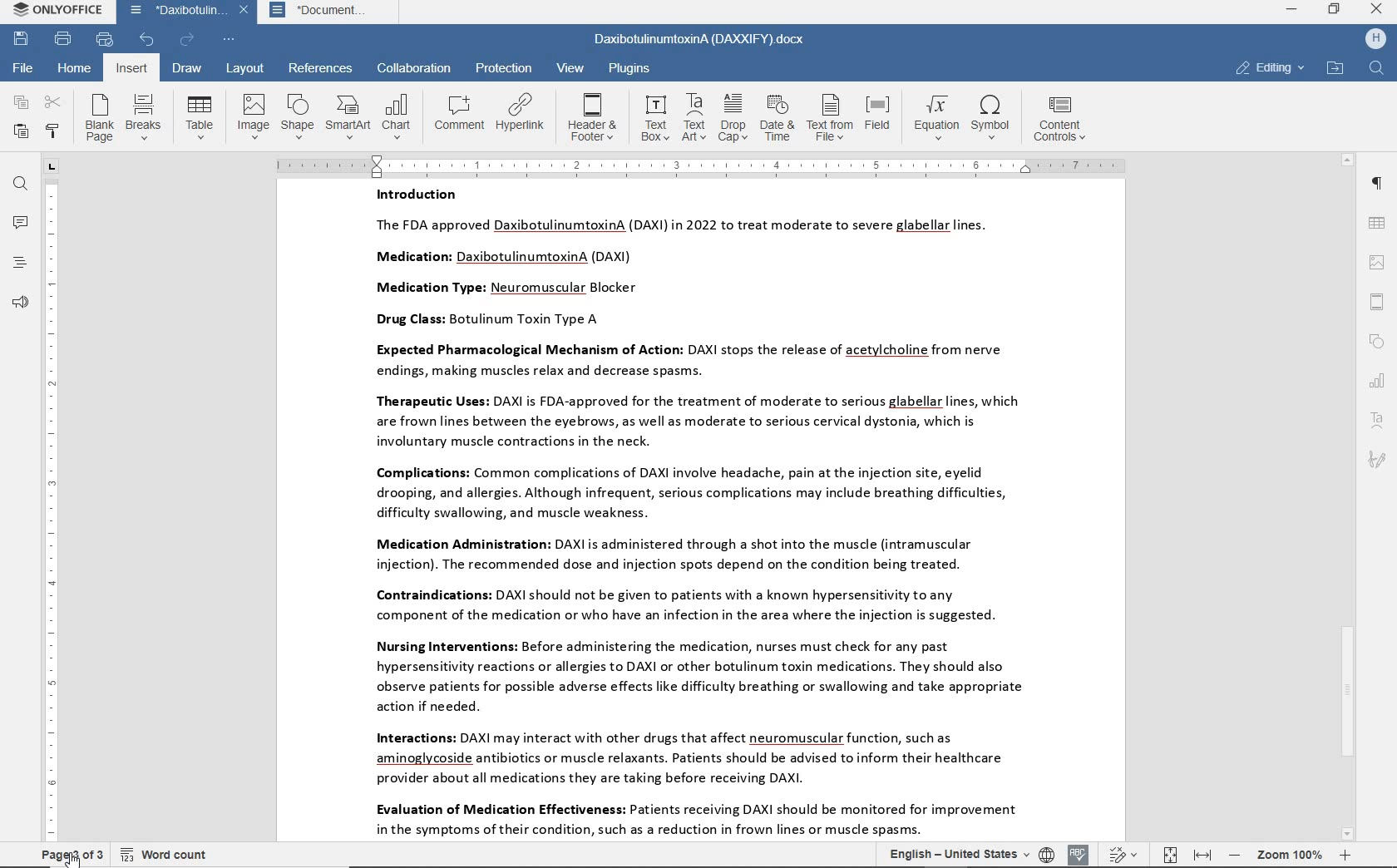 This screenshot has height=868, width=1397. Describe the element at coordinates (1376, 419) in the screenshot. I see `textart` at that location.